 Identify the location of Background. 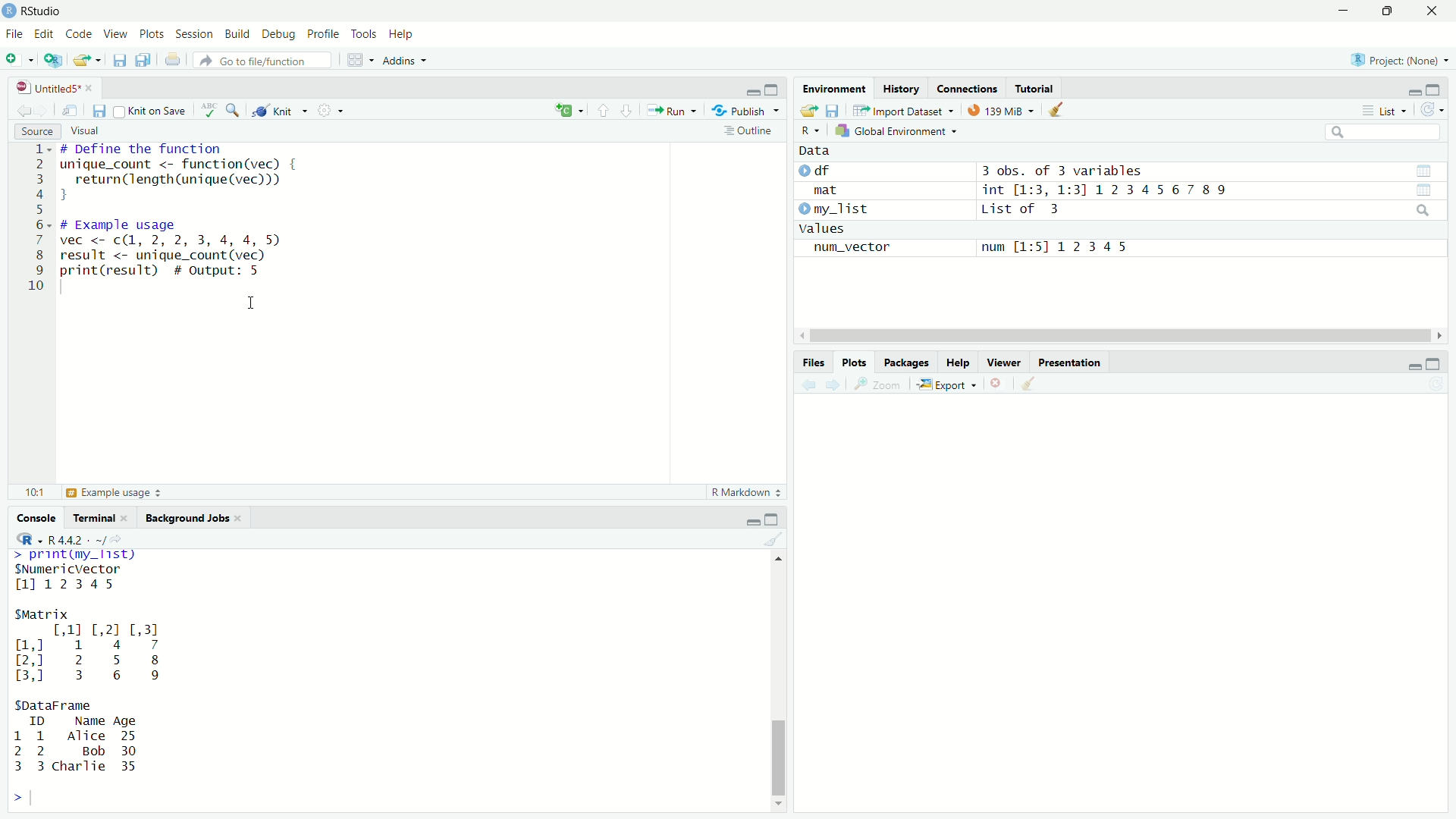
(189, 518).